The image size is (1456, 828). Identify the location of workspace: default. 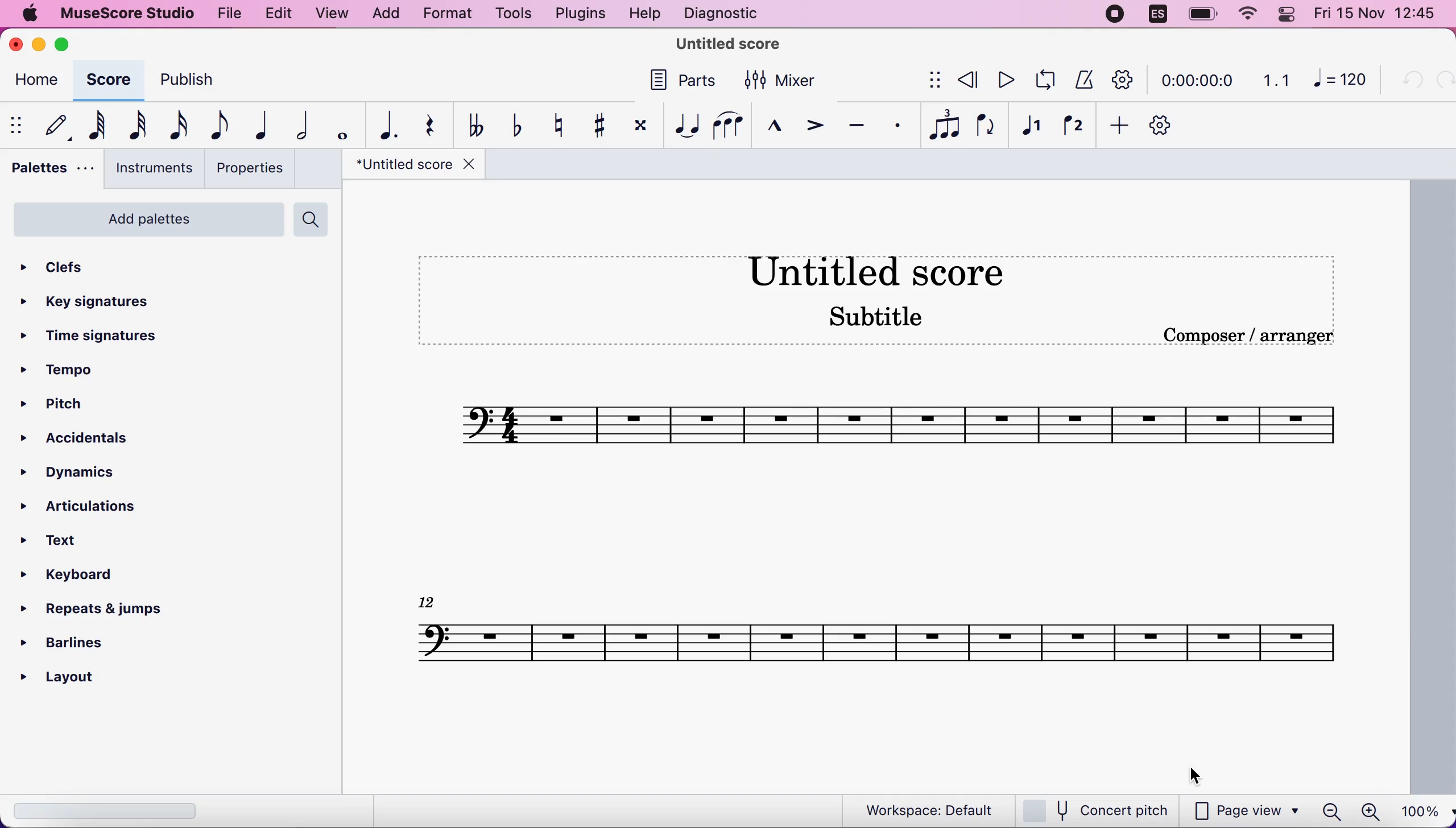
(924, 810).